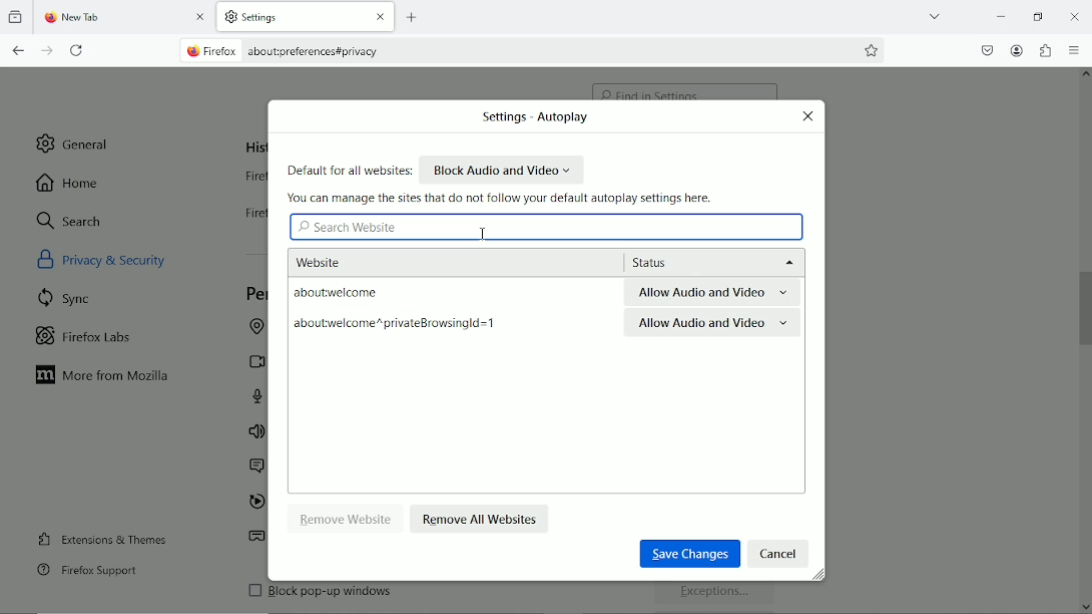  What do you see at coordinates (371, 293) in the screenshot?
I see ` aboutweicome` at bounding box center [371, 293].